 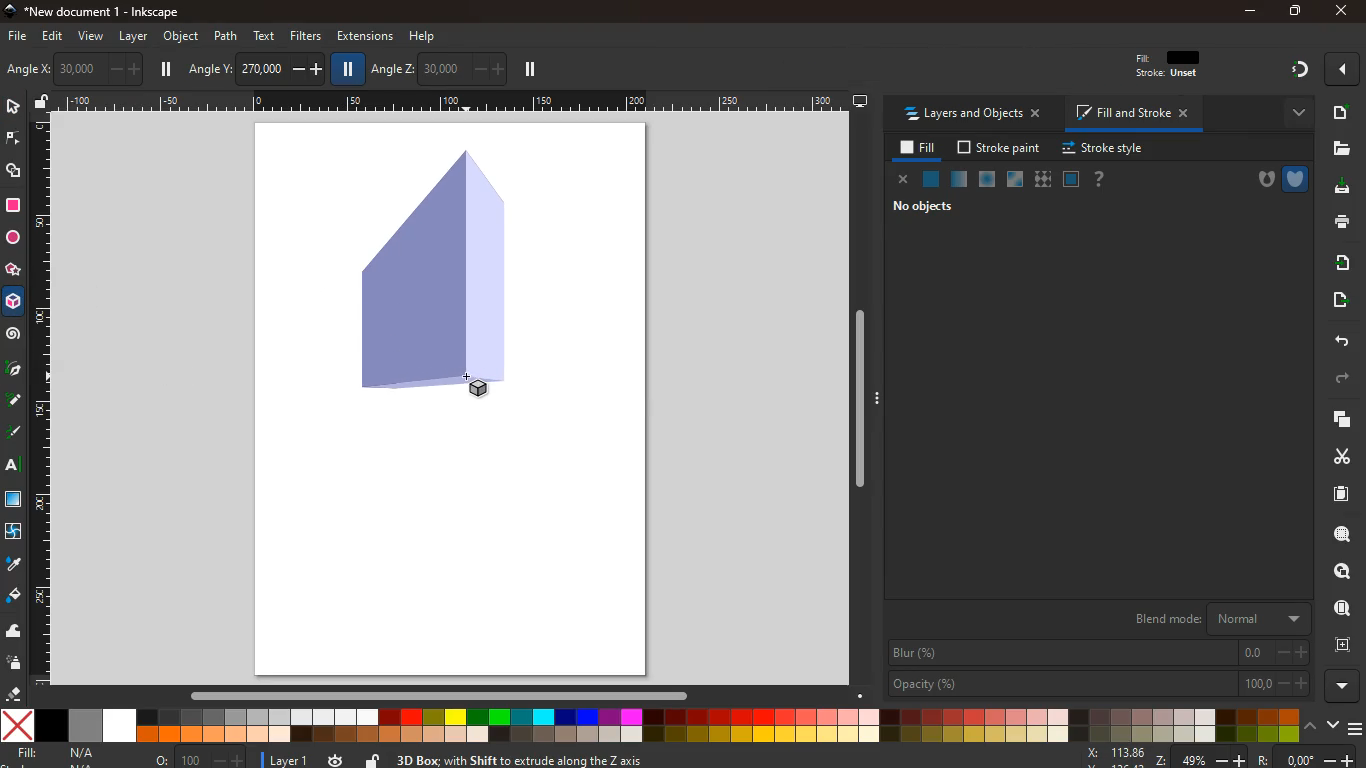 What do you see at coordinates (16, 502) in the screenshot?
I see `screen` at bounding box center [16, 502].